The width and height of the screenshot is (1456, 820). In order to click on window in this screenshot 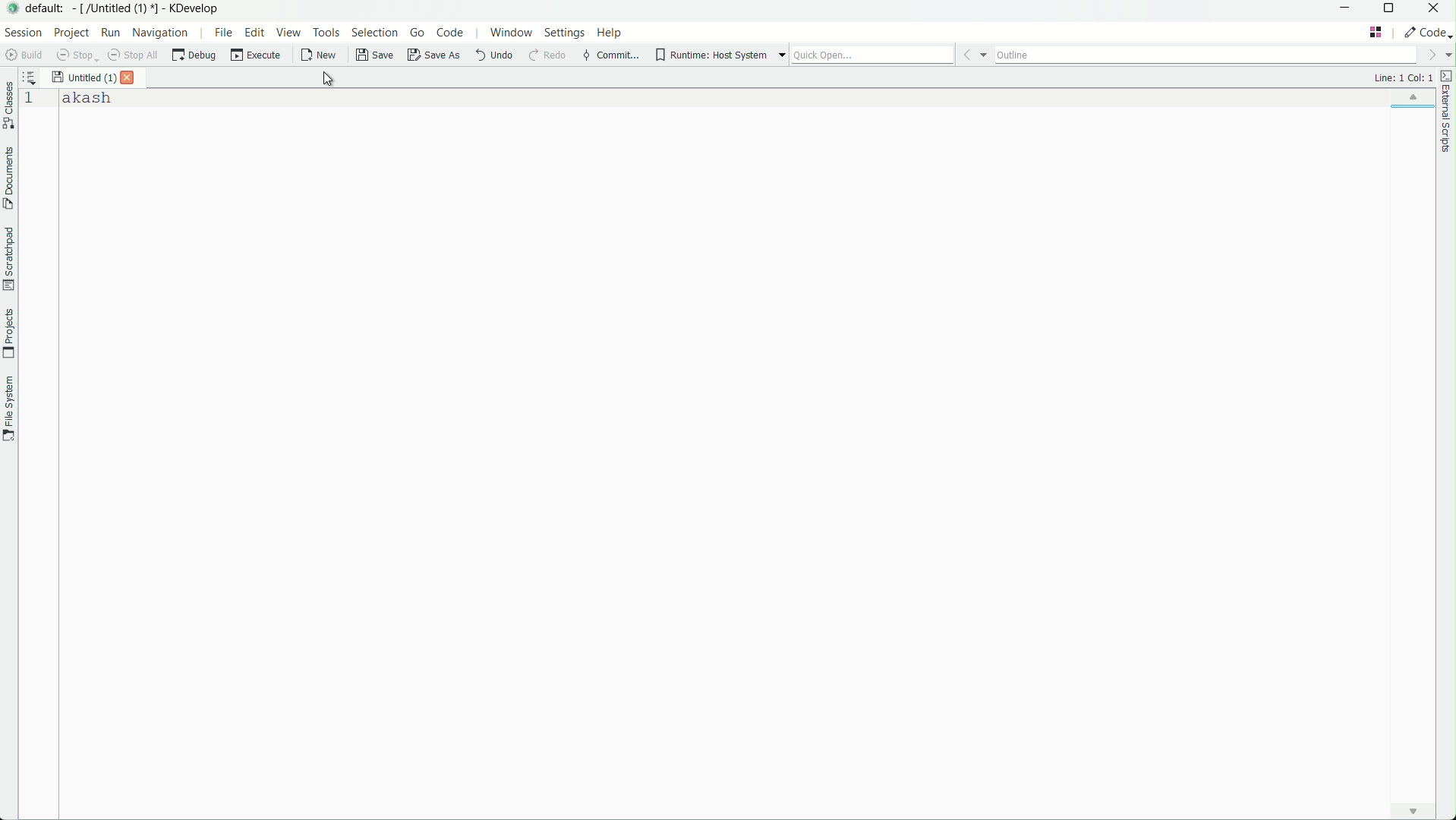, I will do `click(511, 32)`.